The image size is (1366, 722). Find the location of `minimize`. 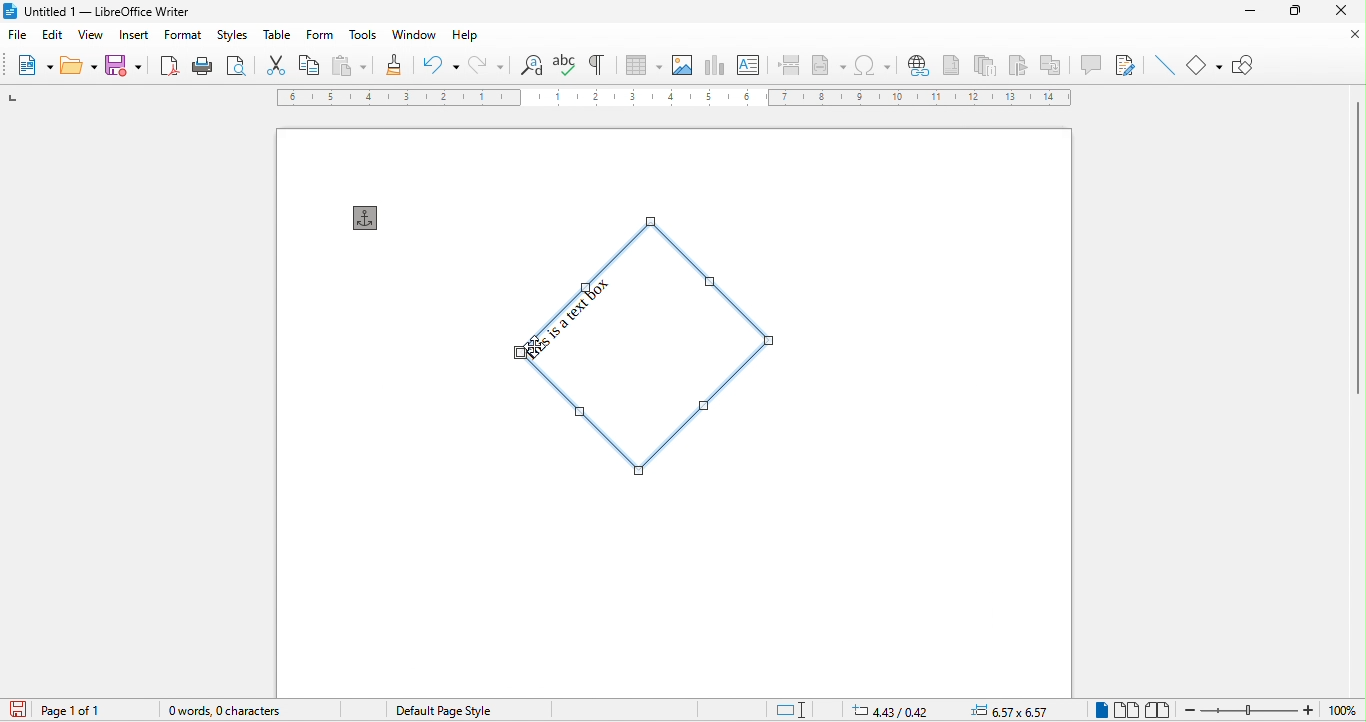

minimize is located at coordinates (1250, 11).